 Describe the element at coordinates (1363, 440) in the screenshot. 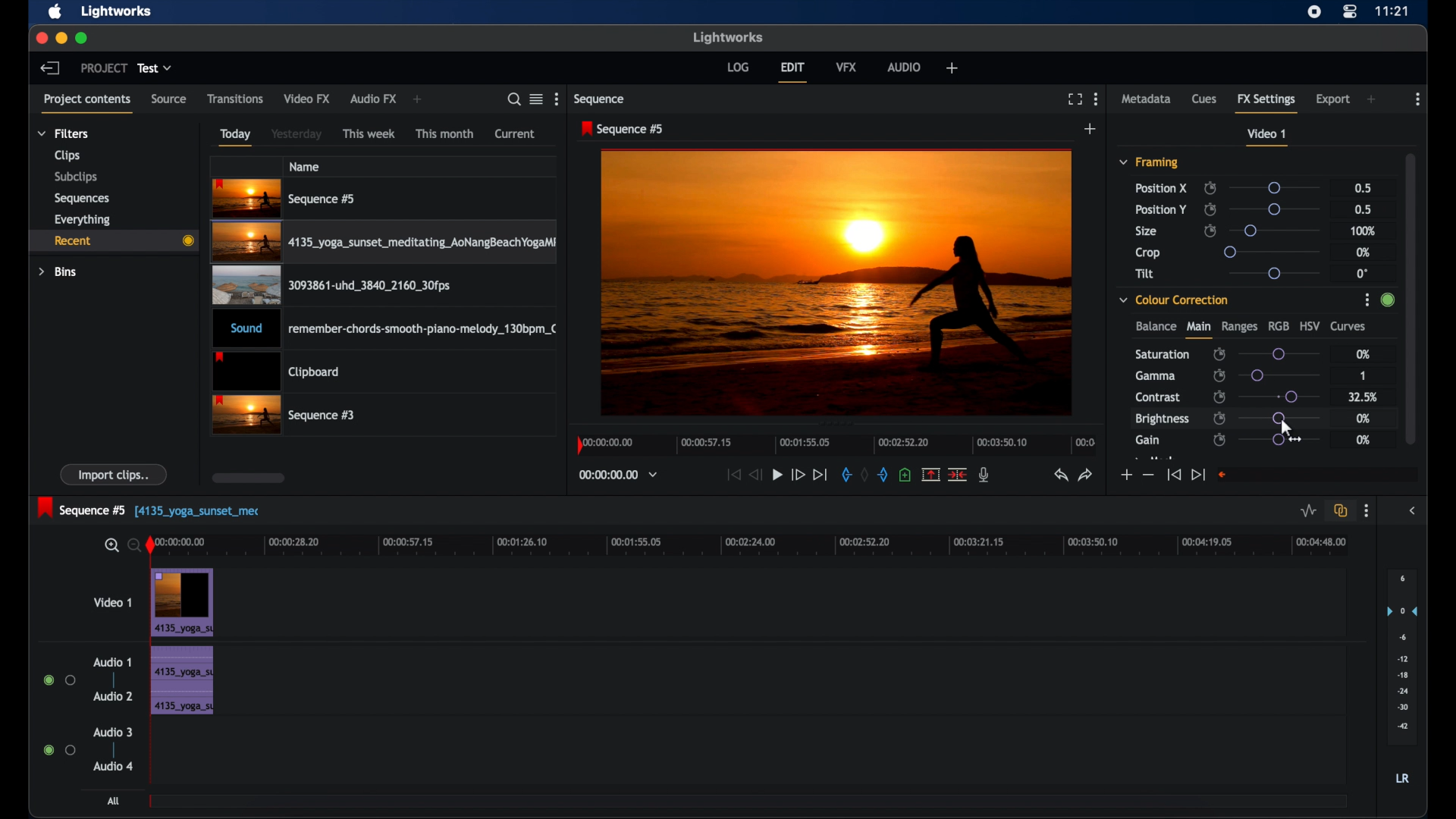

I see `0%` at that location.